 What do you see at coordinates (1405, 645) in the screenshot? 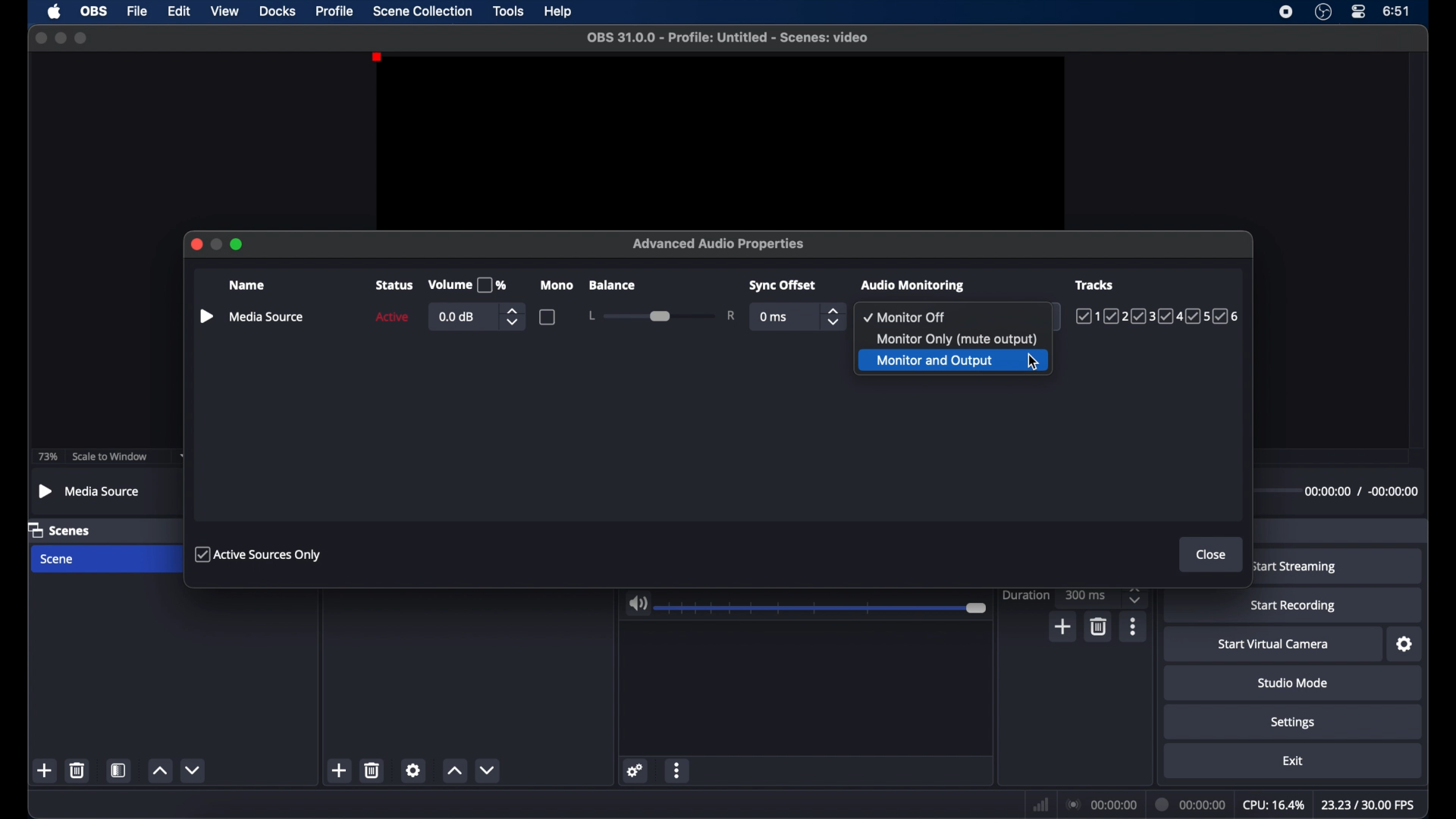
I see `settings` at bounding box center [1405, 645].